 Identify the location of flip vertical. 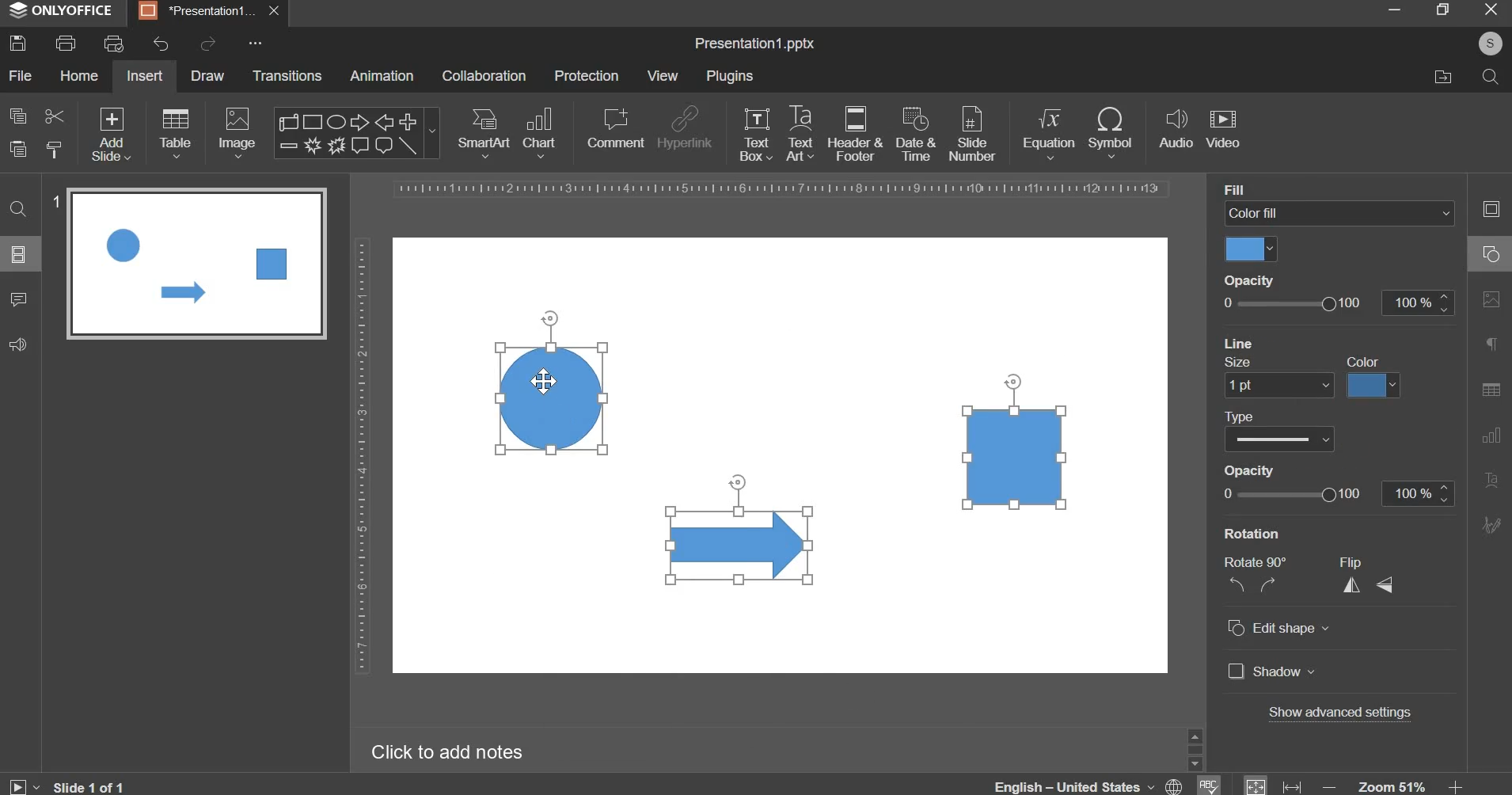
(1387, 584).